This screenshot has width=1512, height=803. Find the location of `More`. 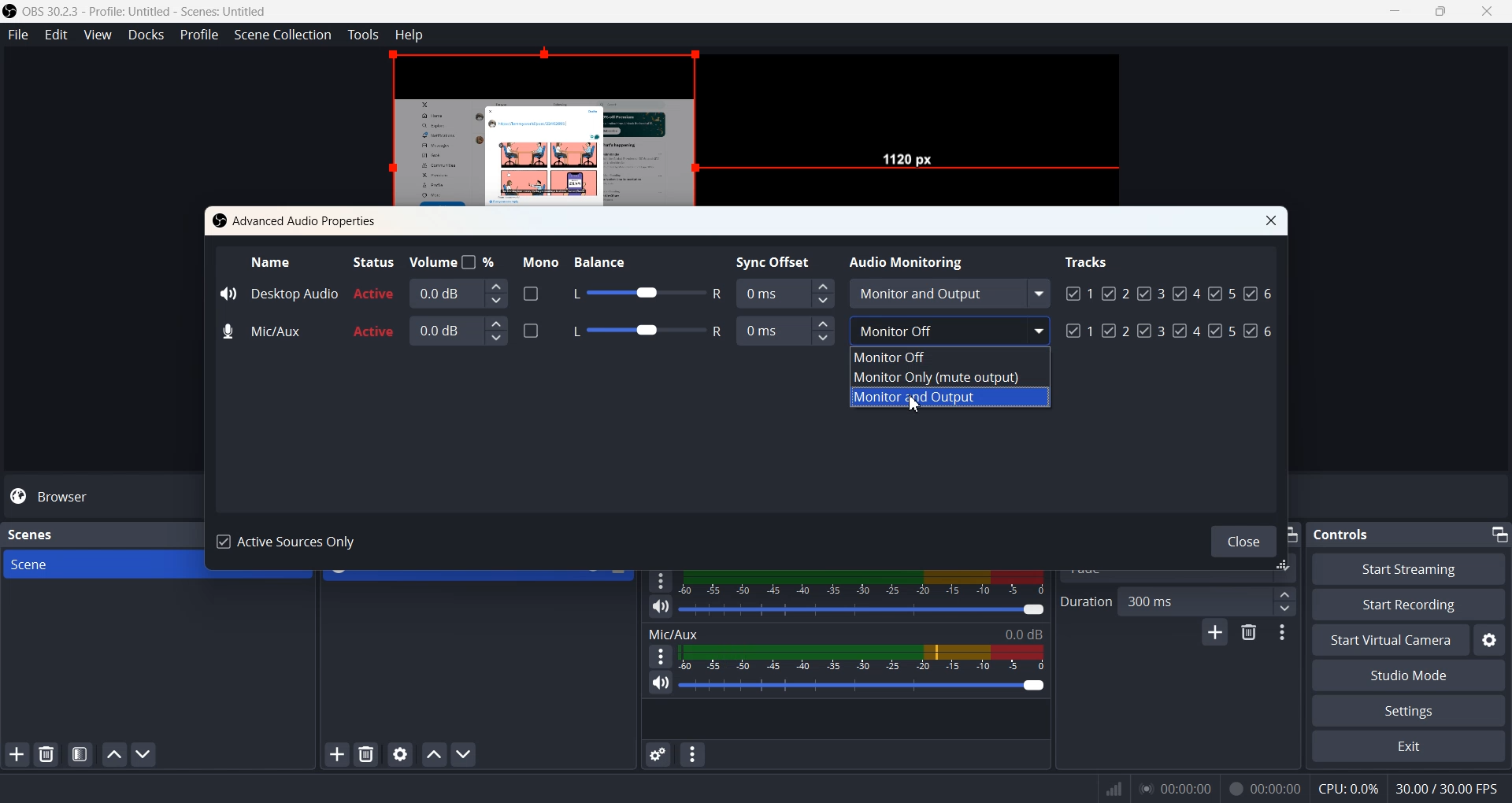

More is located at coordinates (658, 656).